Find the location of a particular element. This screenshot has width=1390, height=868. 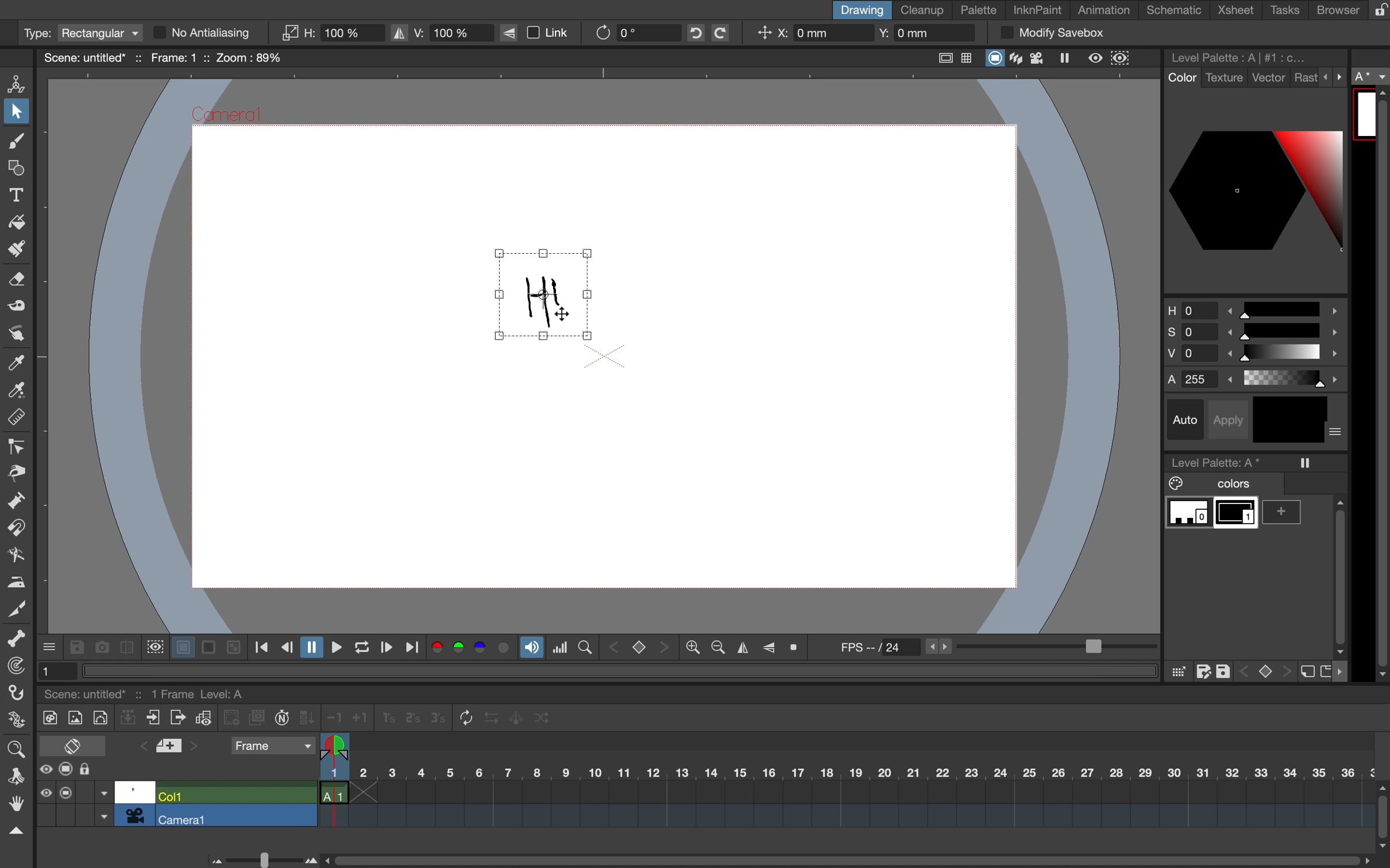

save is located at coordinates (1225, 669).